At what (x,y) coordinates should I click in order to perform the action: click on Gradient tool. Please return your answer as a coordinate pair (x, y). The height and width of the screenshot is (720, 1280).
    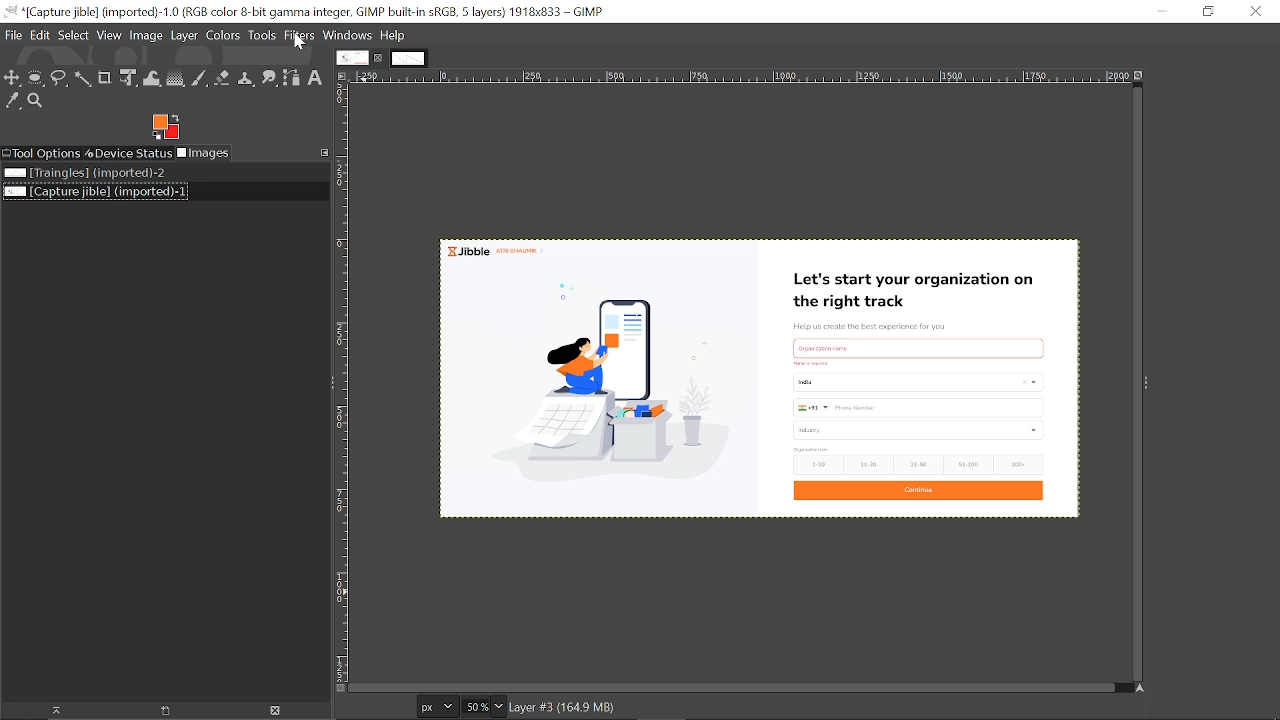
    Looking at the image, I should click on (176, 78).